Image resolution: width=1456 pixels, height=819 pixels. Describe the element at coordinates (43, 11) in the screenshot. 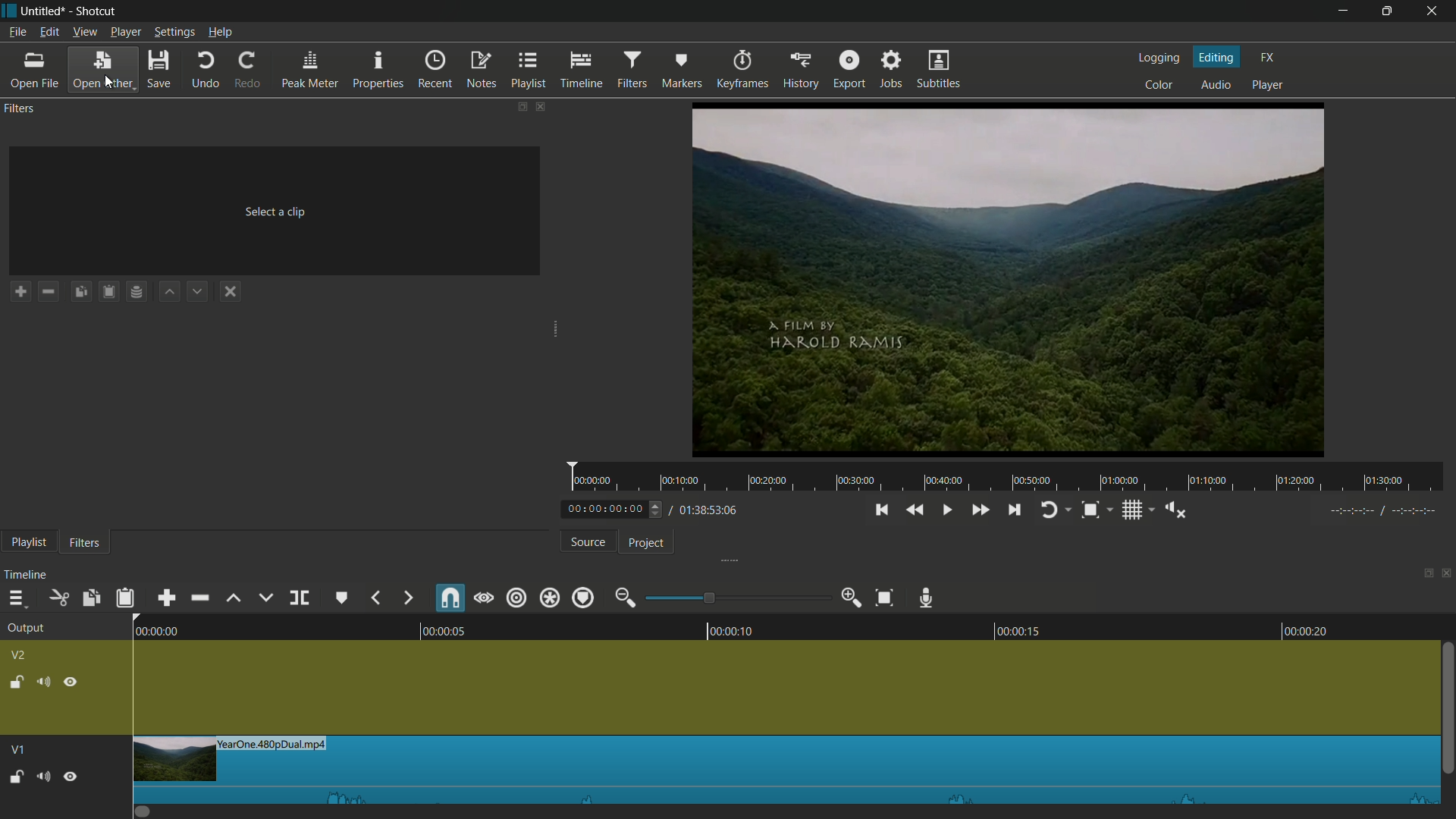

I see `project name` at that location.